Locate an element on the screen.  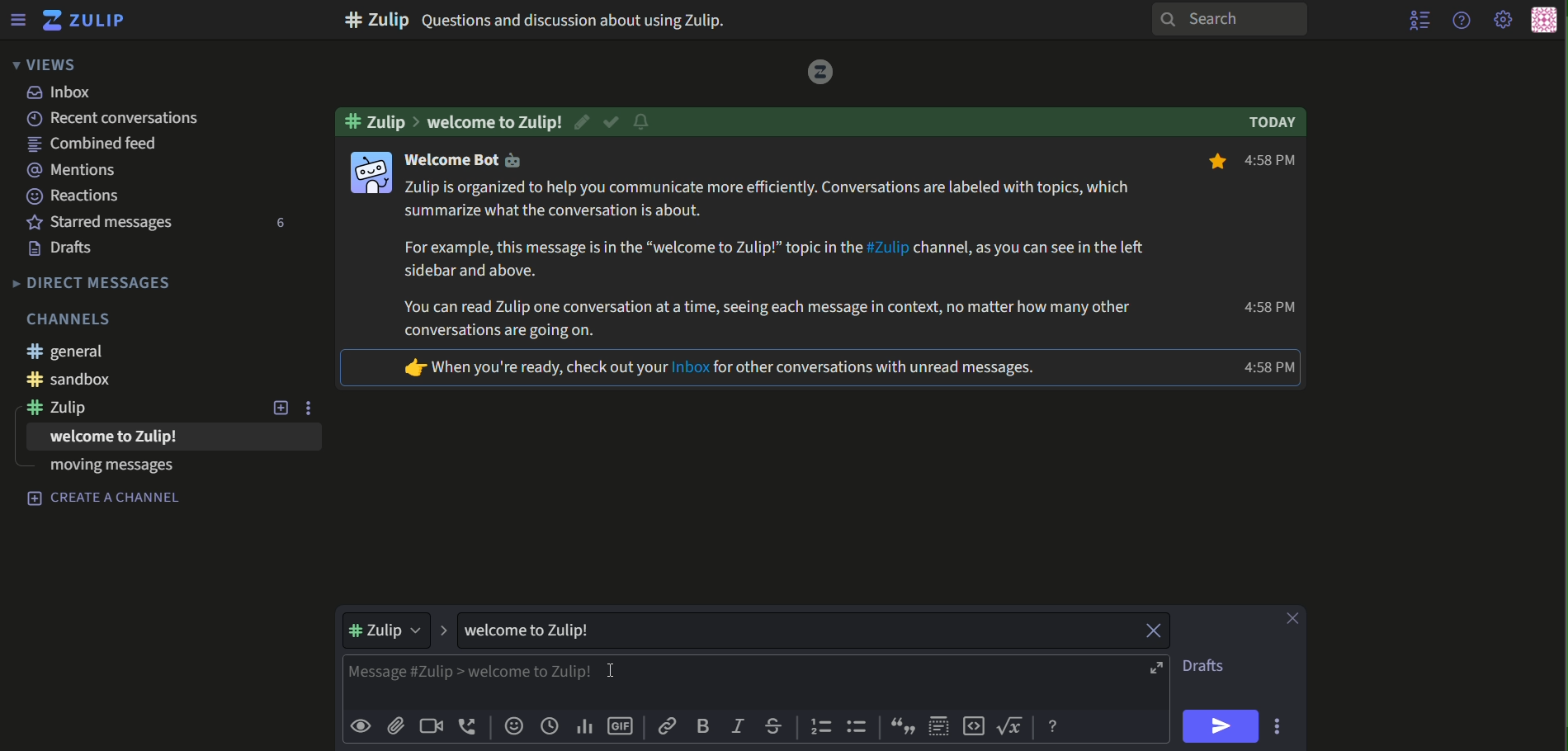
search bar is located at coordinates (1226, 19).